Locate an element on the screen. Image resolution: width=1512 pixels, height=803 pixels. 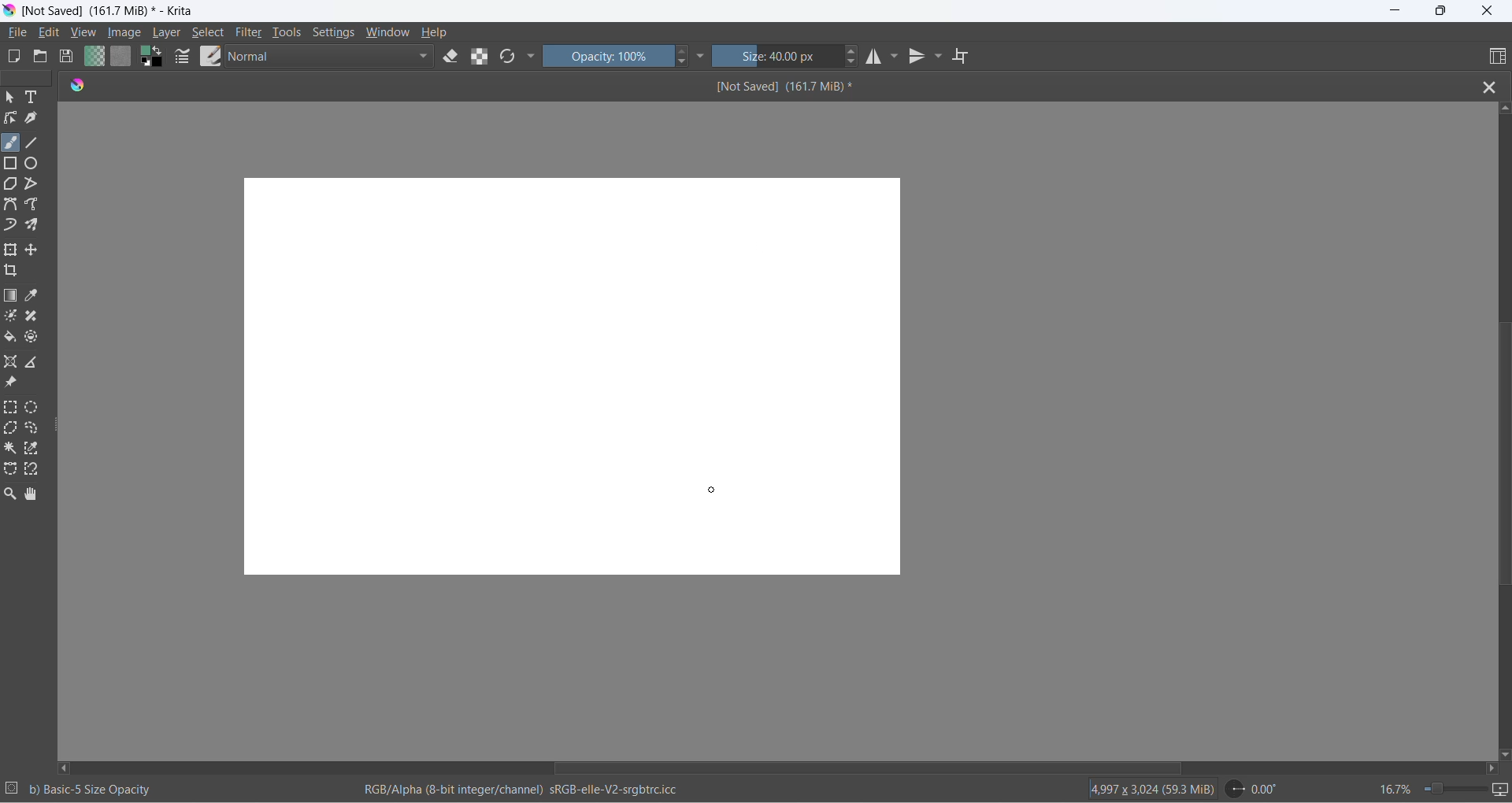
vertical mirror tool is located at coordinates (918, 58).